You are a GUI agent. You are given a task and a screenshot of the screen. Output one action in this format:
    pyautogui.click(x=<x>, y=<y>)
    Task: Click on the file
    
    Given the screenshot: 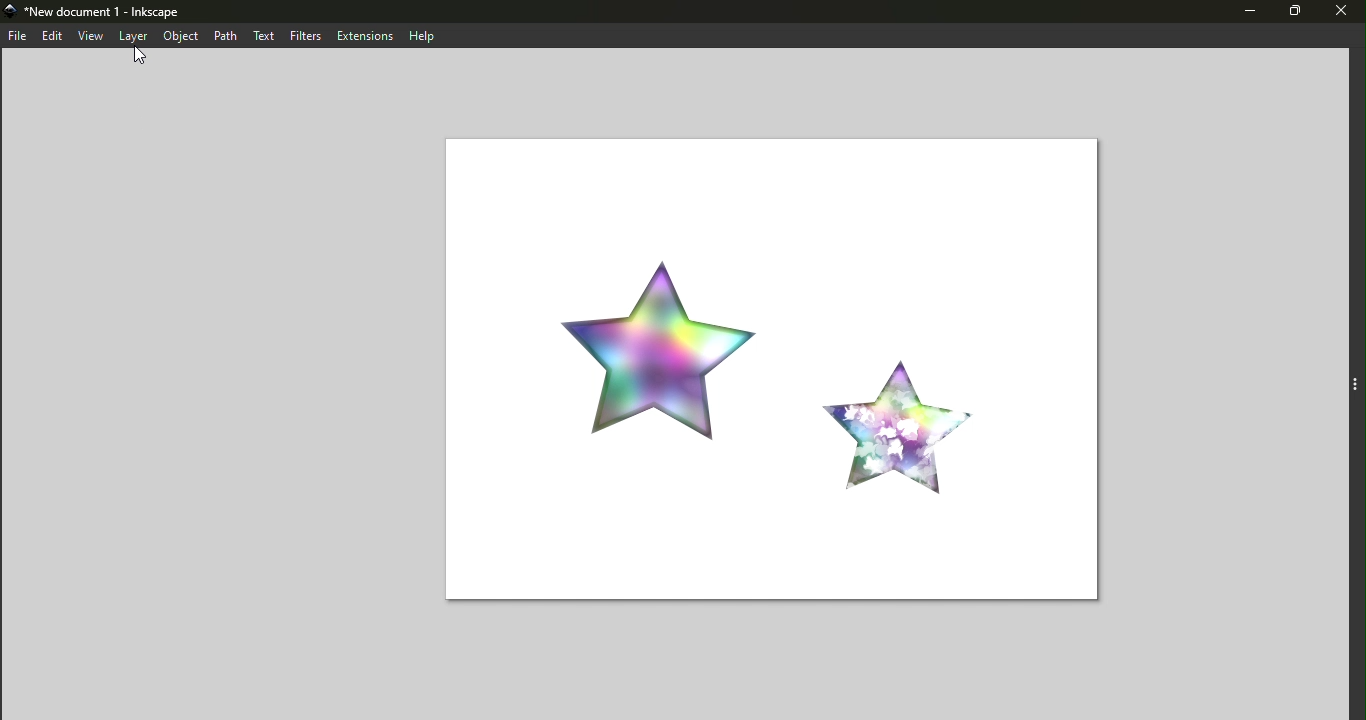 What is the action you would take?
    pyautogui.click(x=18, y=37)
    